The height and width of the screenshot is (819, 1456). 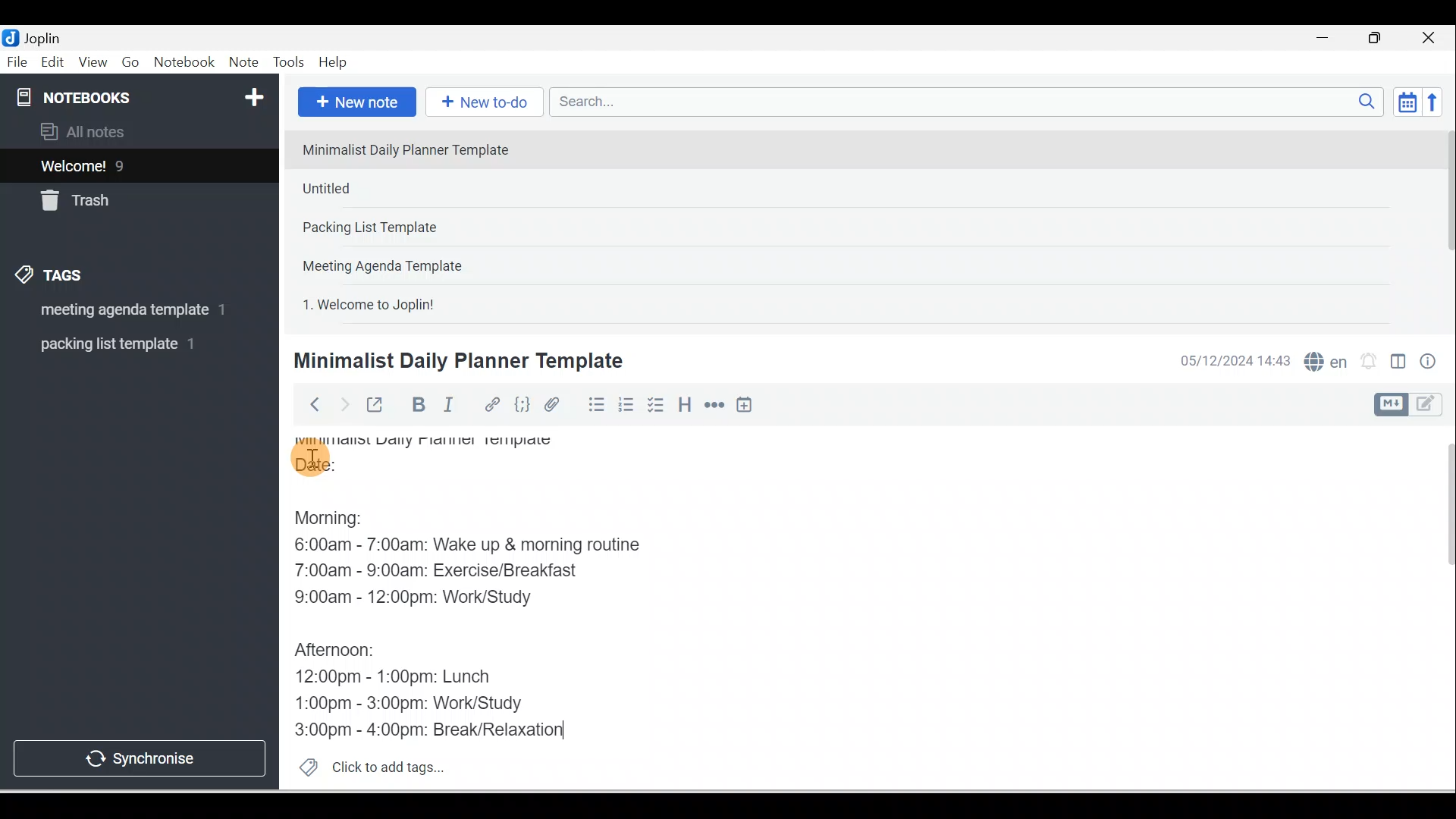 What do you see at coordinates (438, 443) in the screenshot?
I see `Minimalist Daily Planner Template` at bounding box center [438, 443].